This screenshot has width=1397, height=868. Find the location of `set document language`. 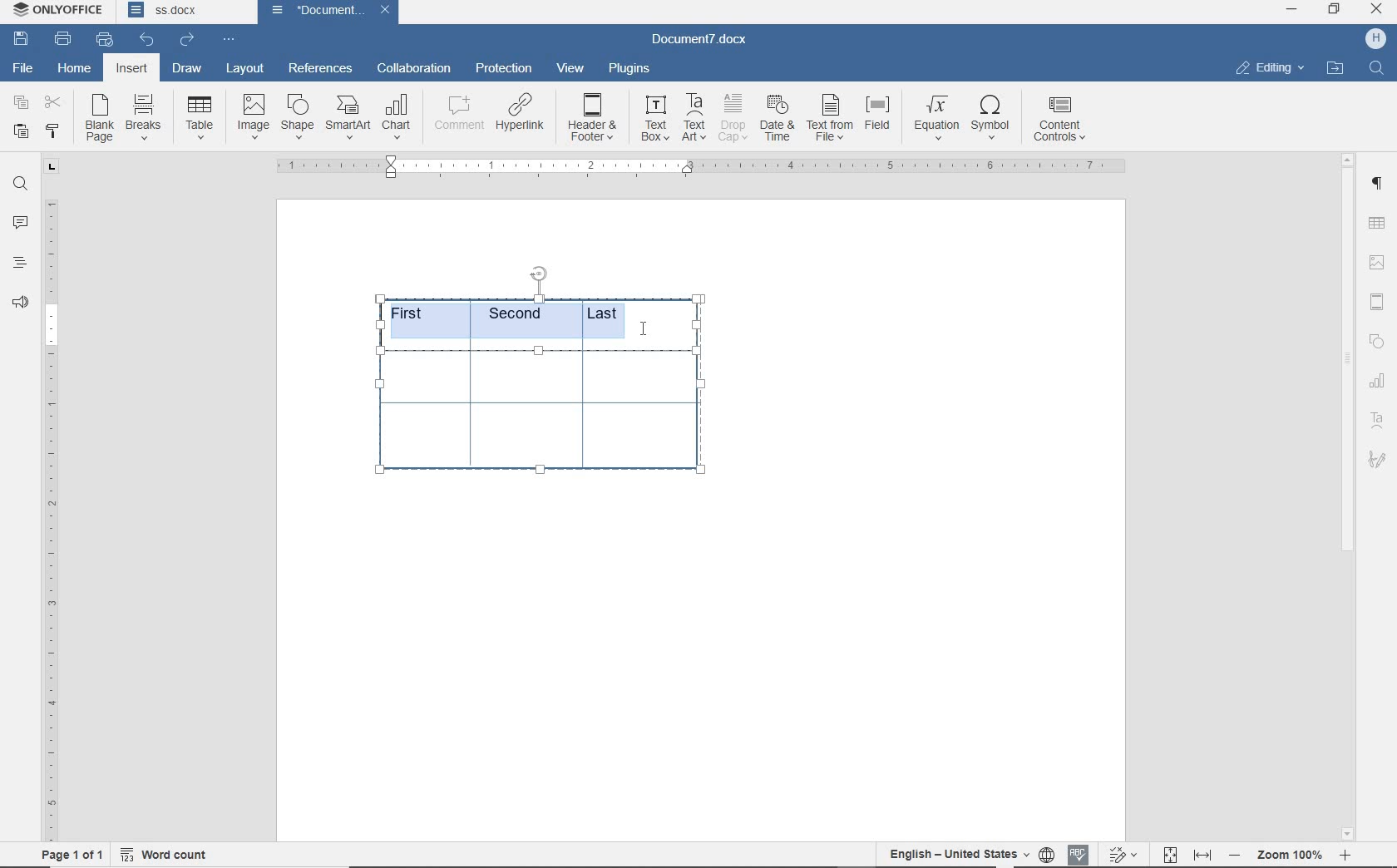

set document language is located at coordinates (1046, 852).